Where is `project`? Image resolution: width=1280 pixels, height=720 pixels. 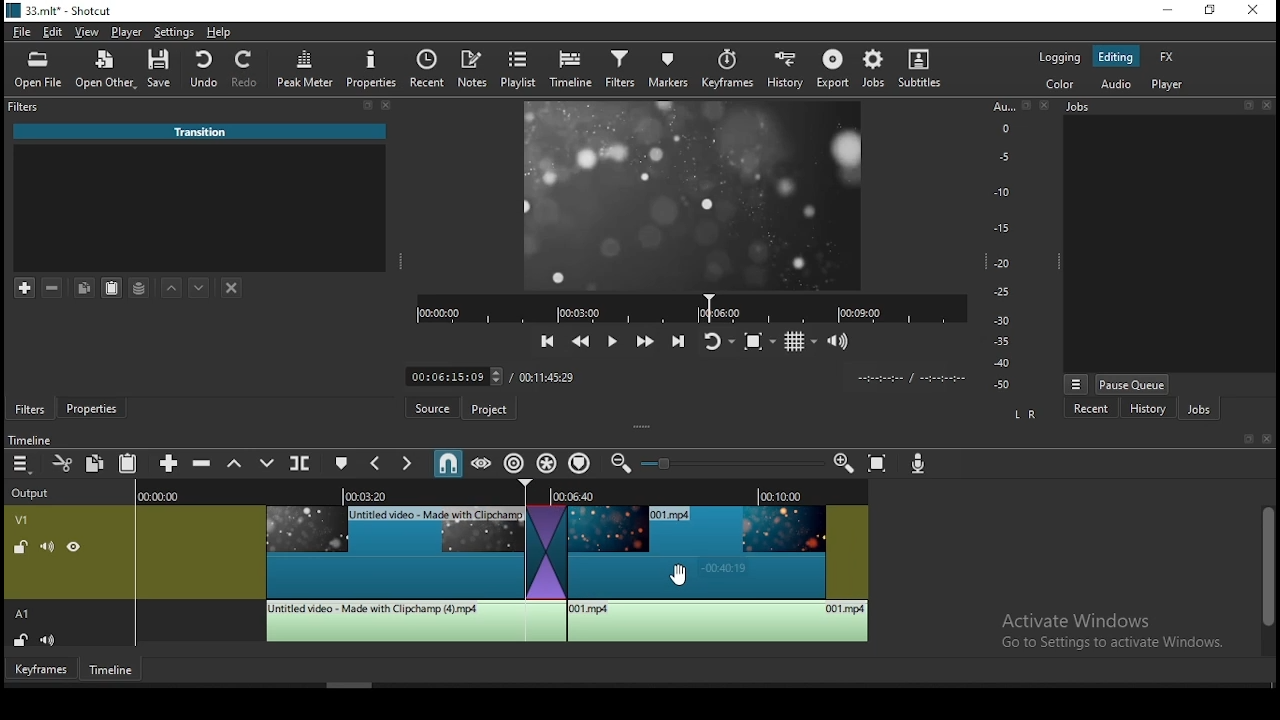 project is located at coordinates (486, 410).